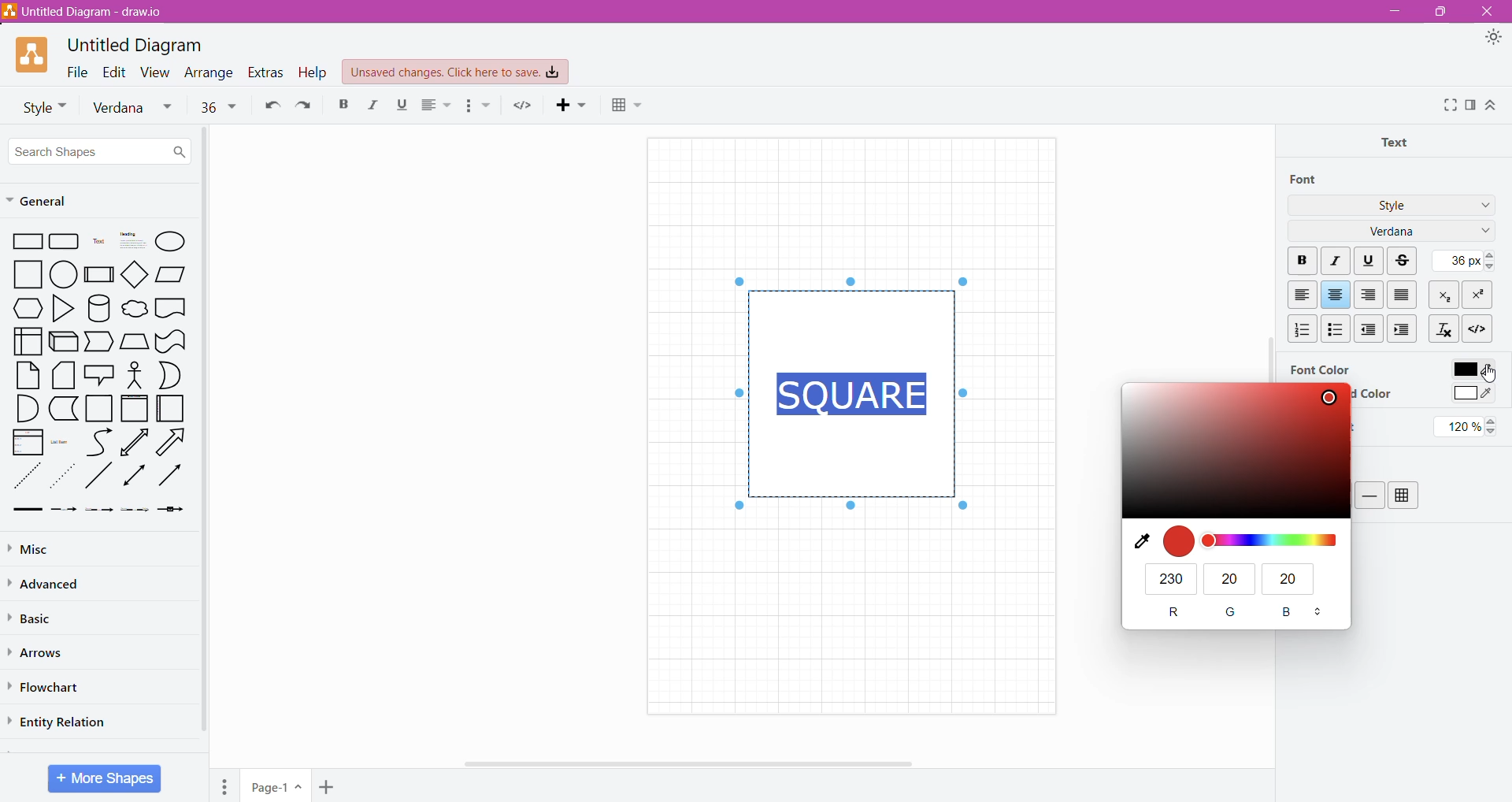 Image resolution: width=1512 pixels, height=802 pixels. I want to click on Dashed Arrow , so click(63, 508).